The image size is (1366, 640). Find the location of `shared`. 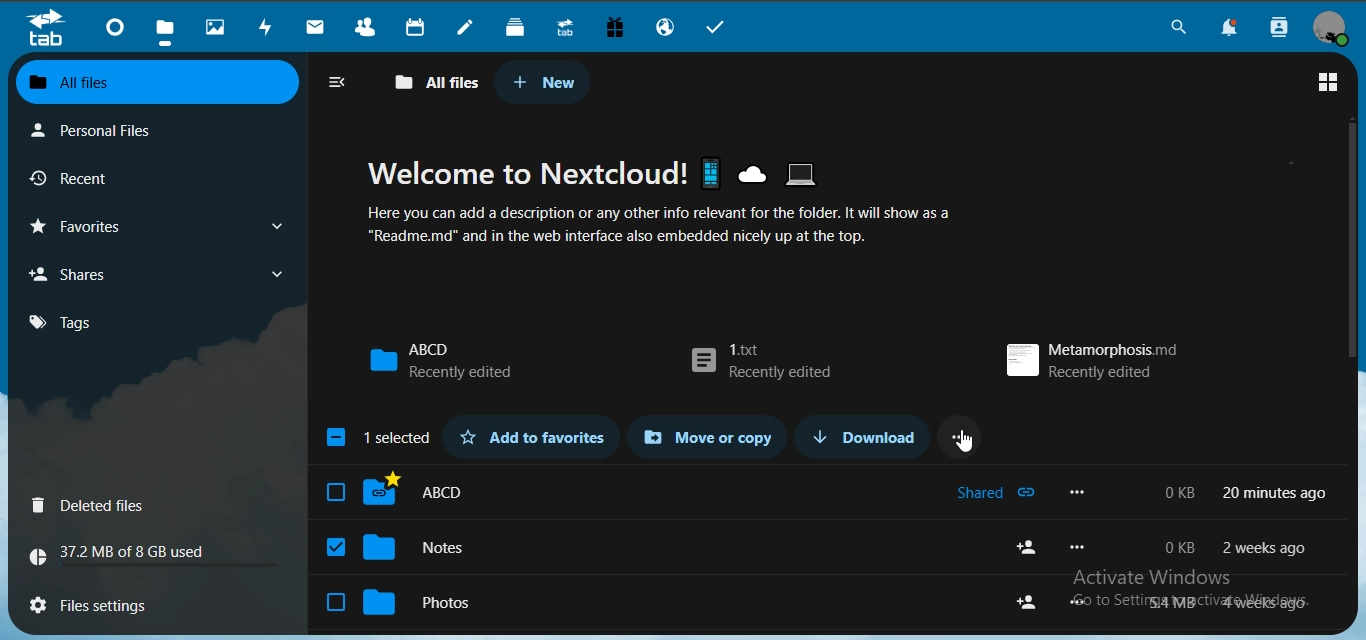

shared is located at coordinates (999, 496).